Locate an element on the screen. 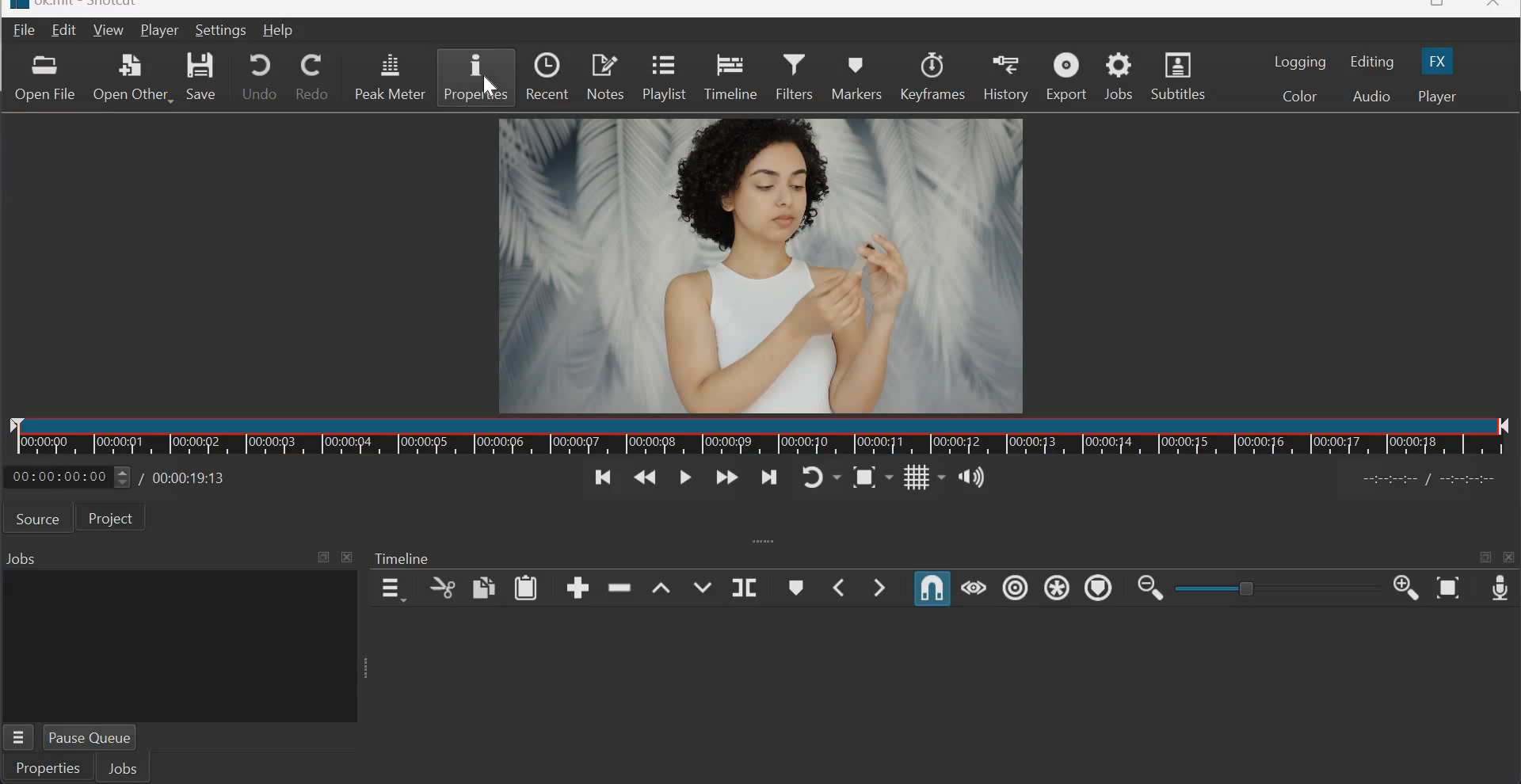 Image resolution: width=1521 pixels, height=784 pixels. settings is located at coordinates (223, 30).